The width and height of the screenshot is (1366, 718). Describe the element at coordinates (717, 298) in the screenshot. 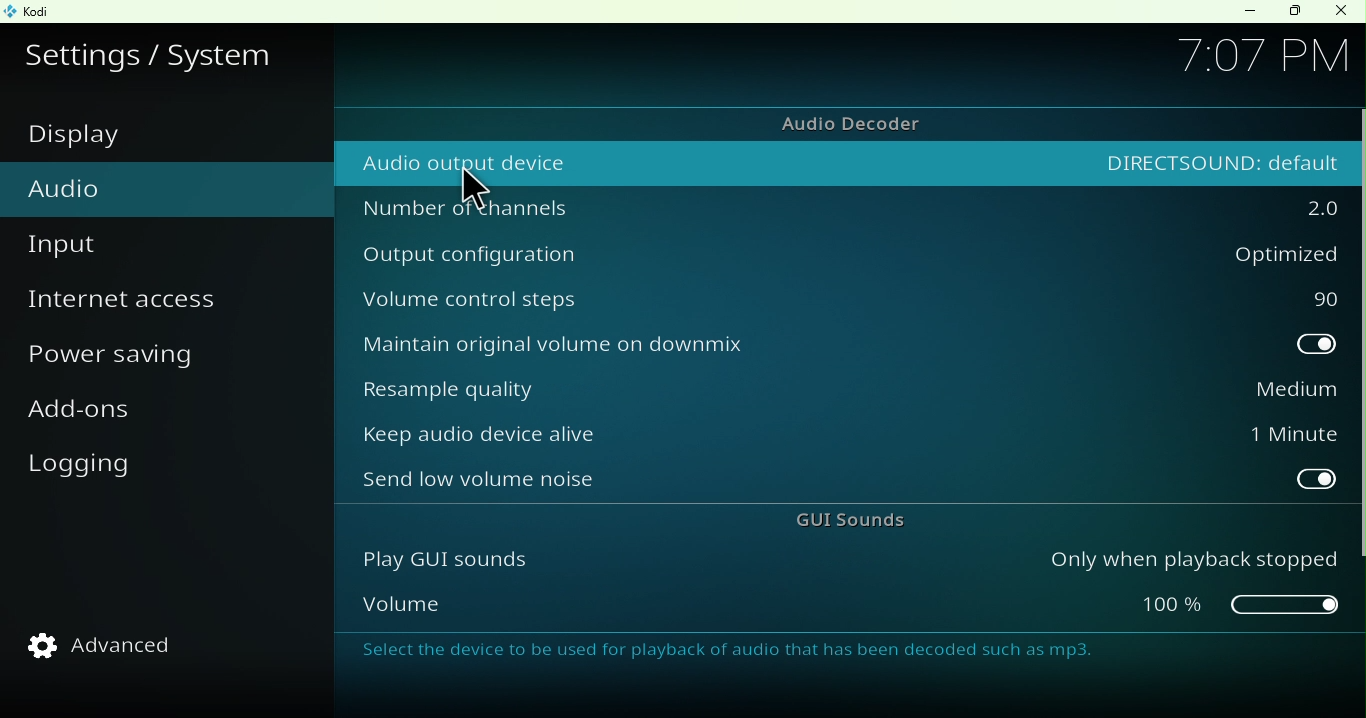

I see `Volume control steps` at that location.